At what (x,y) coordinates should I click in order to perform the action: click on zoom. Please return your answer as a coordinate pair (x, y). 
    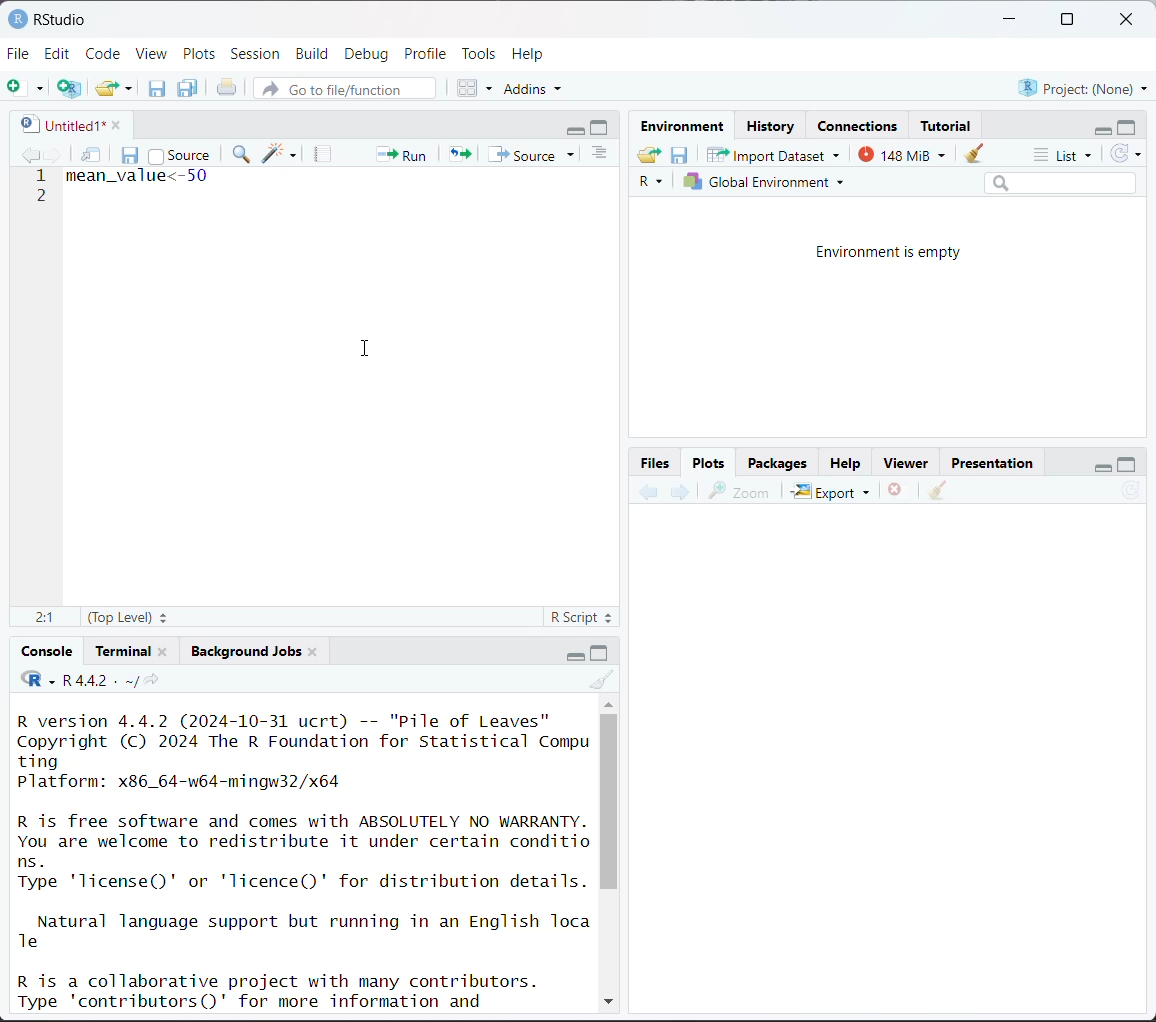
    Looking at the image, I should click on (739, 491).